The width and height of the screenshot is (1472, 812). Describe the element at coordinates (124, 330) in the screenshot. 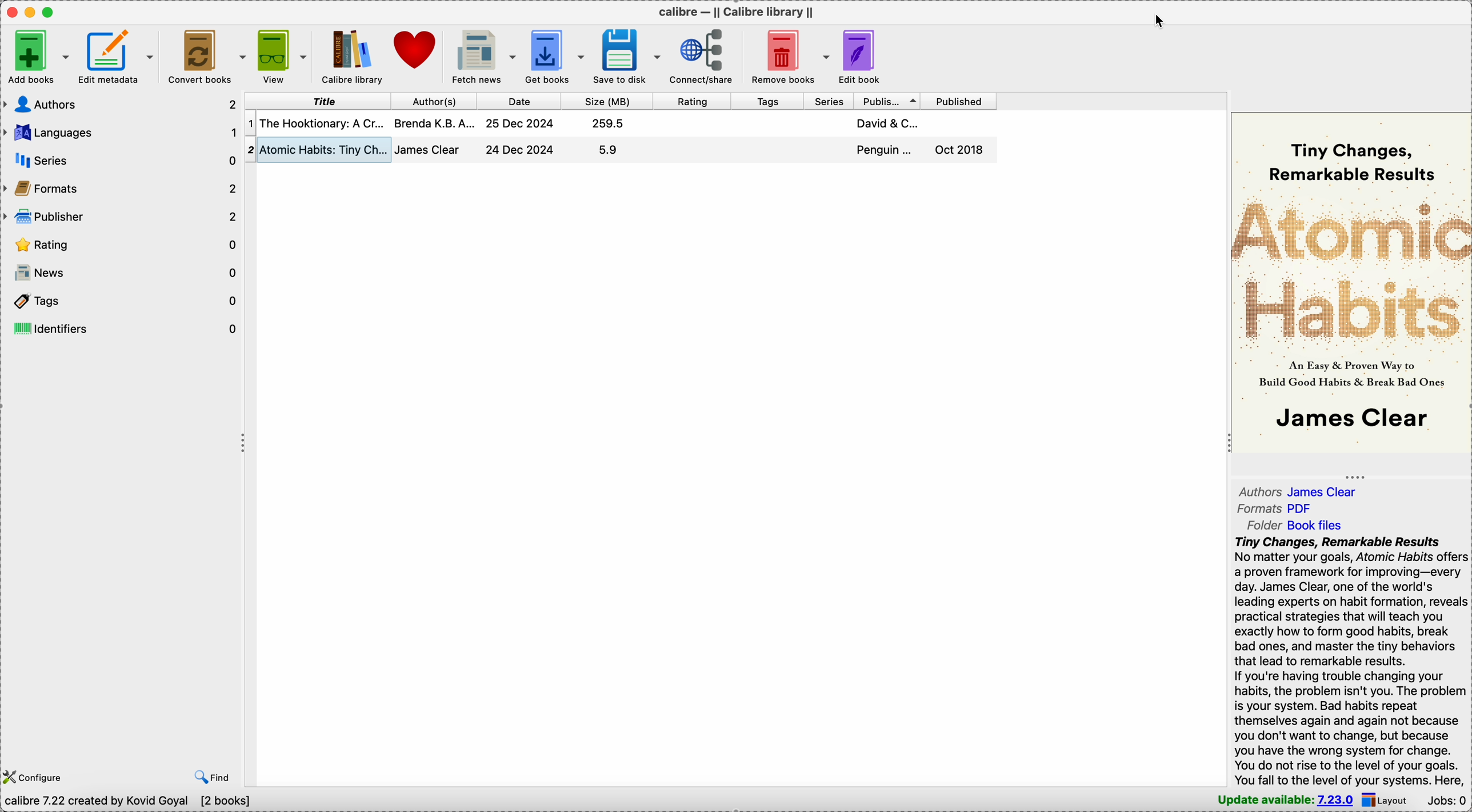

I see `identifiers` at that location.